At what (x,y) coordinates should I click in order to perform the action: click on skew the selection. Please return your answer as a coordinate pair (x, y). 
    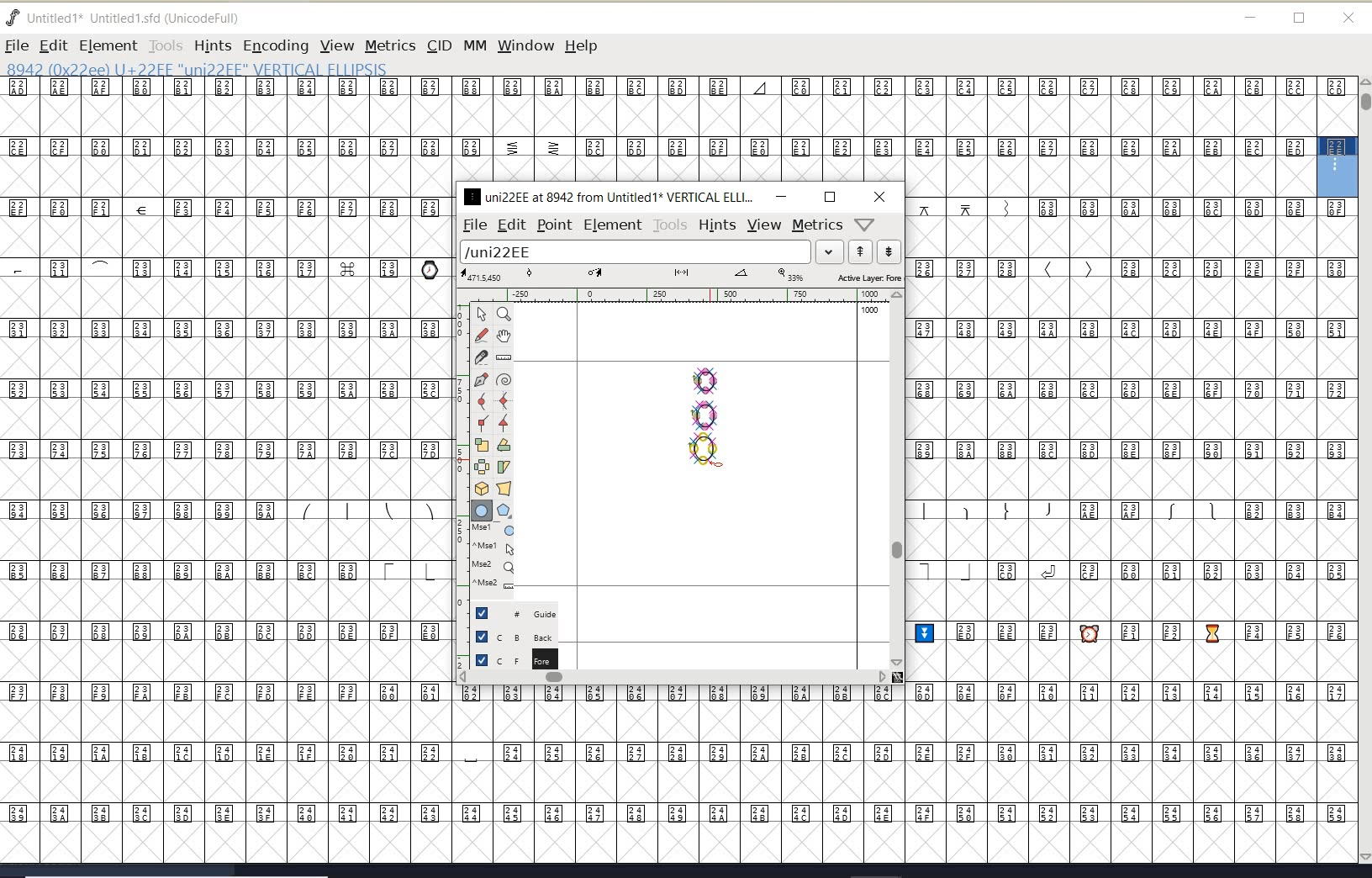
    Looking at the image, I should click on (503, 468).